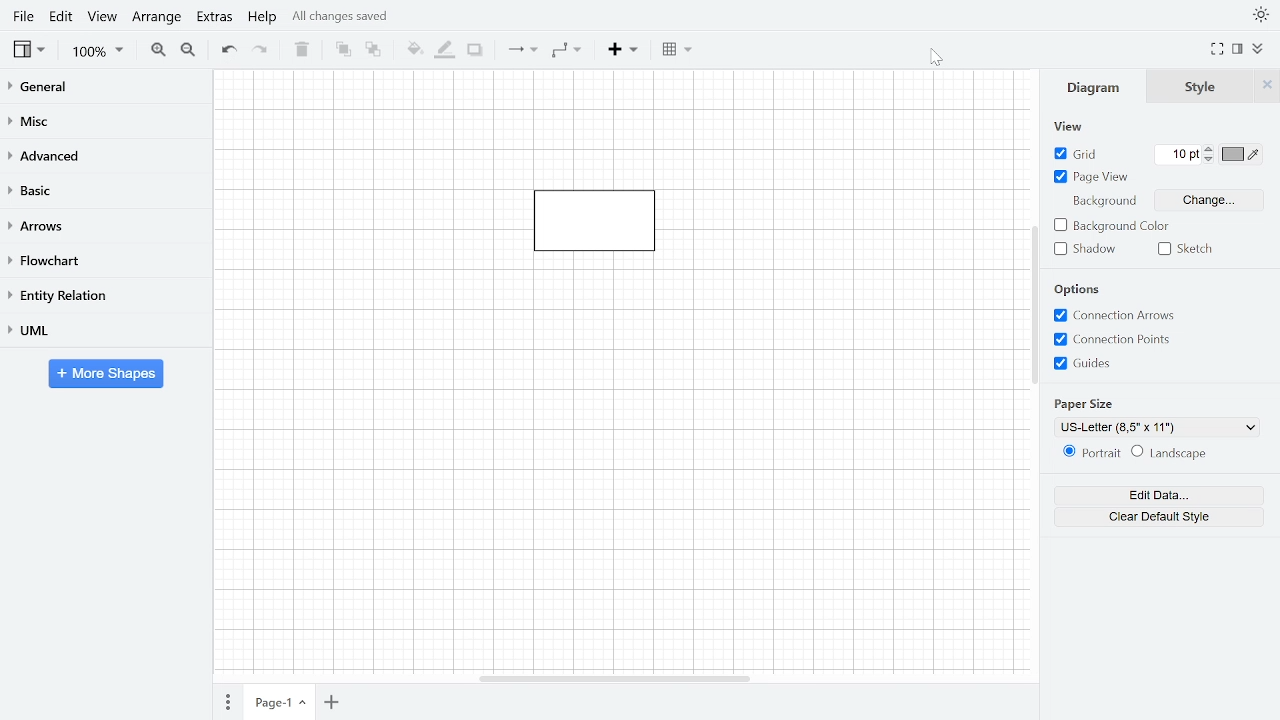  I want to click on Insert page, so click(332, 703).